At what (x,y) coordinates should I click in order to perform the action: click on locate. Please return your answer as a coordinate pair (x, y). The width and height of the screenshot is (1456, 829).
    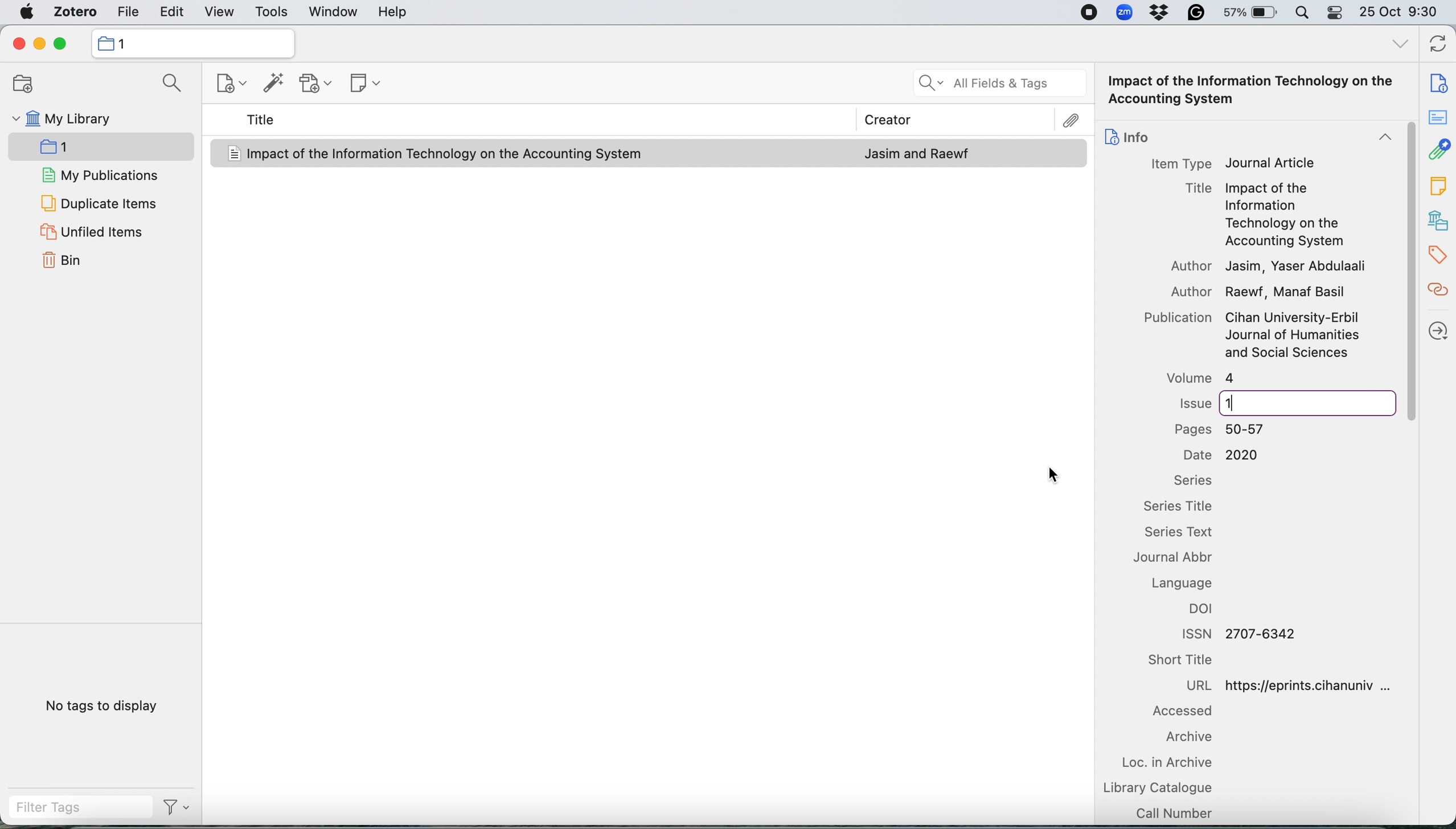
    Looking at the image, I should click on (1437, 329).